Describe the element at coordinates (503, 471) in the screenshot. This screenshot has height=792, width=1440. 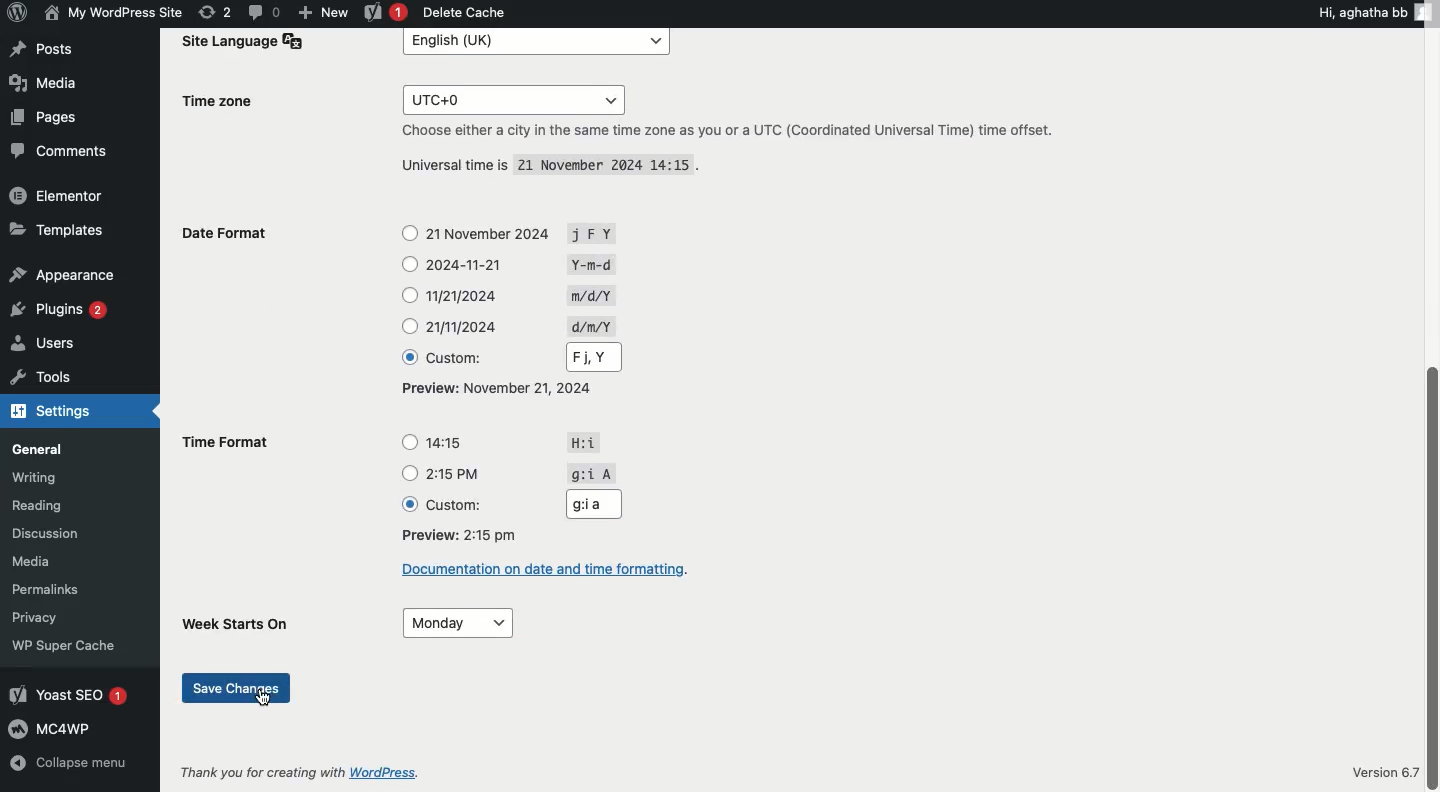
I see ` 2:15PM g:i A` at that location.